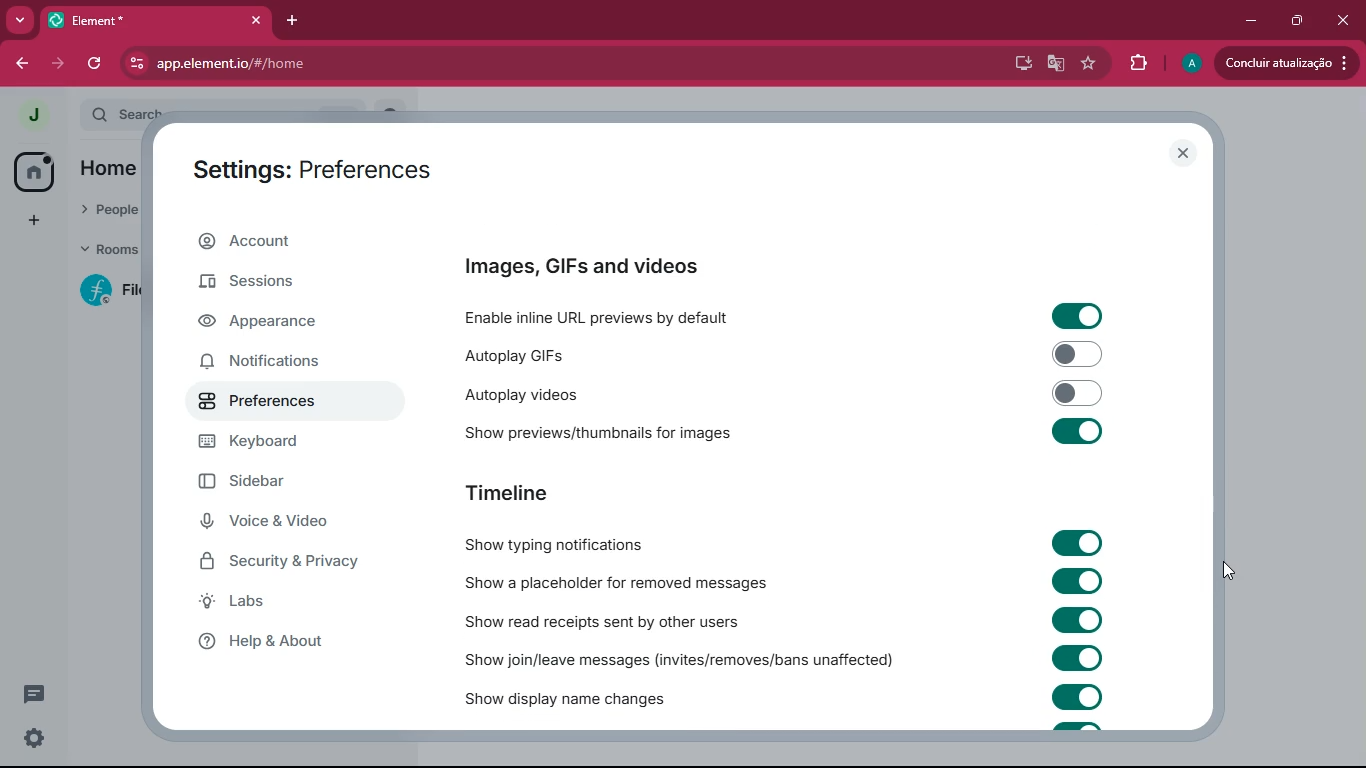 This screenshot has height=768, width=1366. What do you see at coordinates (613, 619) in the screenshot?
I see `show read receipts sent by others users` at bounding box center [613, 619].